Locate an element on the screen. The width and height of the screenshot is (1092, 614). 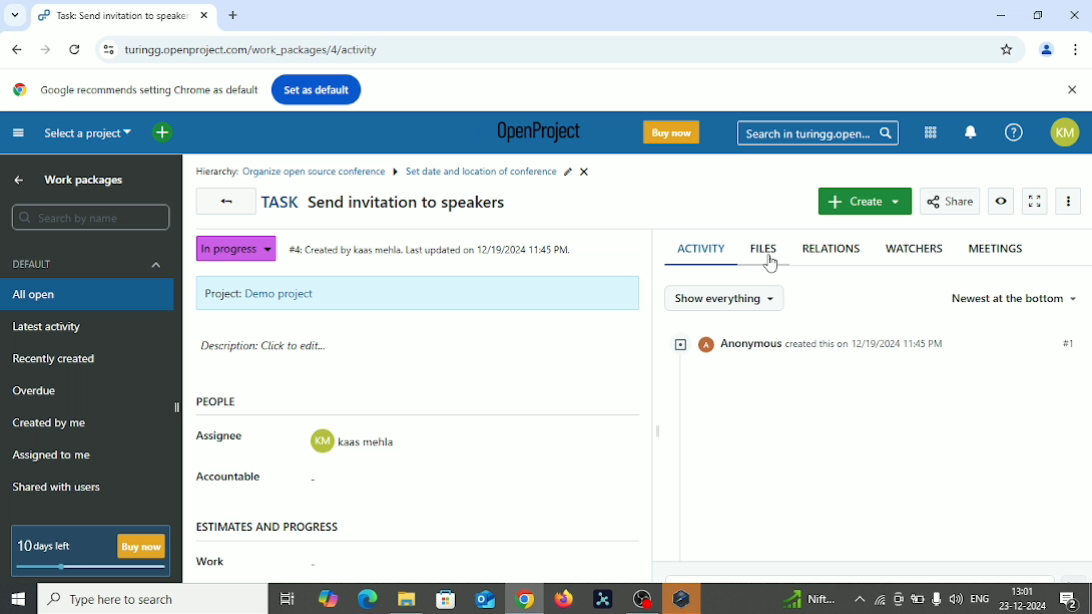
9 Anonymous creates ts on 12/19/2024 11:45 PM is located at coordinates (808, 345).